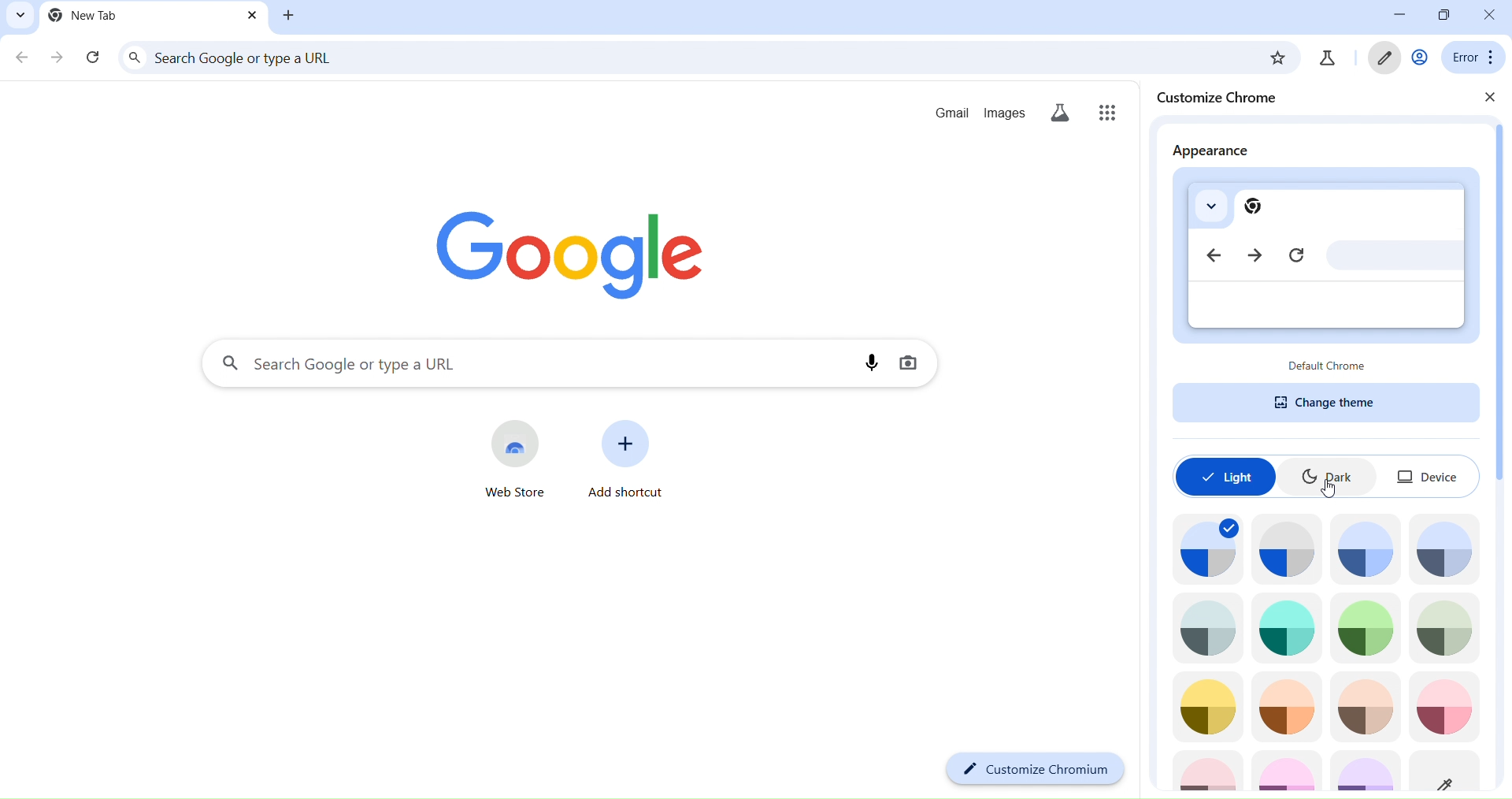 This screenshot has width=1512, height=799. What do you see at coordinates (1492, 96) in the screenshot?
I see `close` at bounding box center [1492, 96].